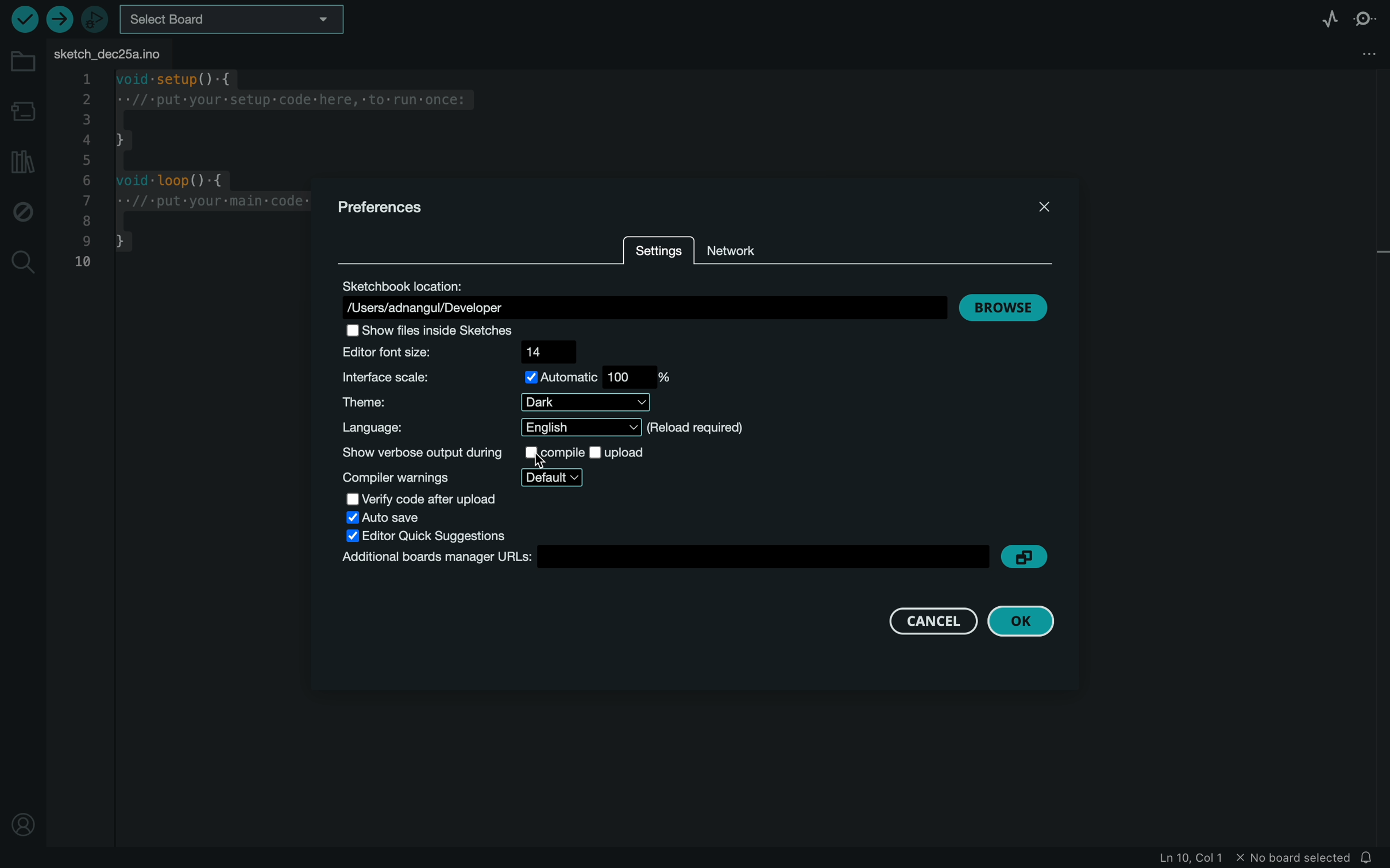 This screenshot has width=1390, height=868. I want to click on code, so click(177, 165).